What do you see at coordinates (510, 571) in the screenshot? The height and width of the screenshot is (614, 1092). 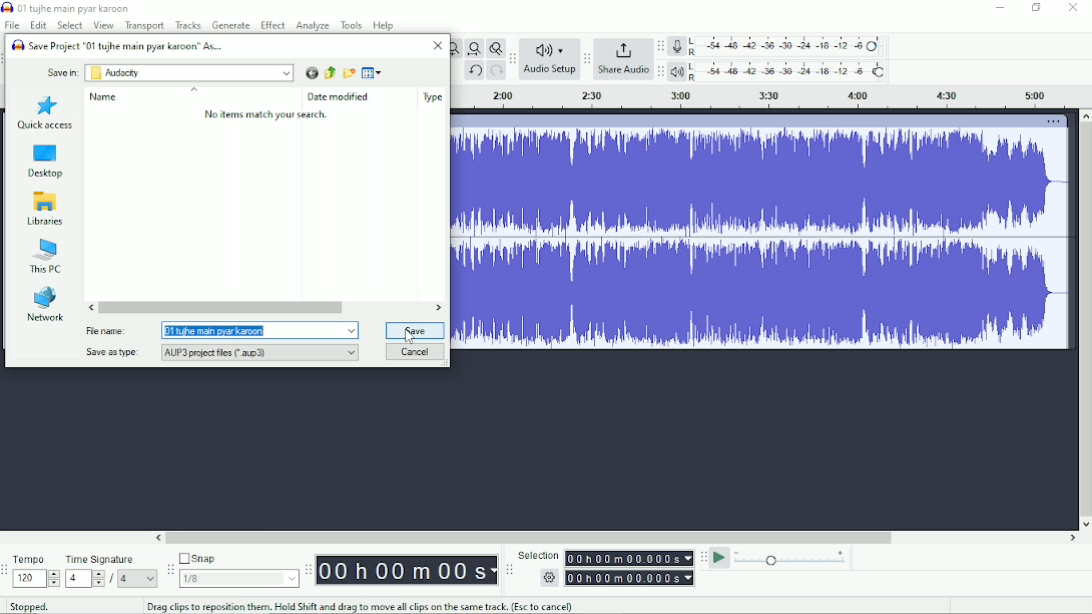 I see `Audacity selection toolbar` at bounding box center [510, 571].